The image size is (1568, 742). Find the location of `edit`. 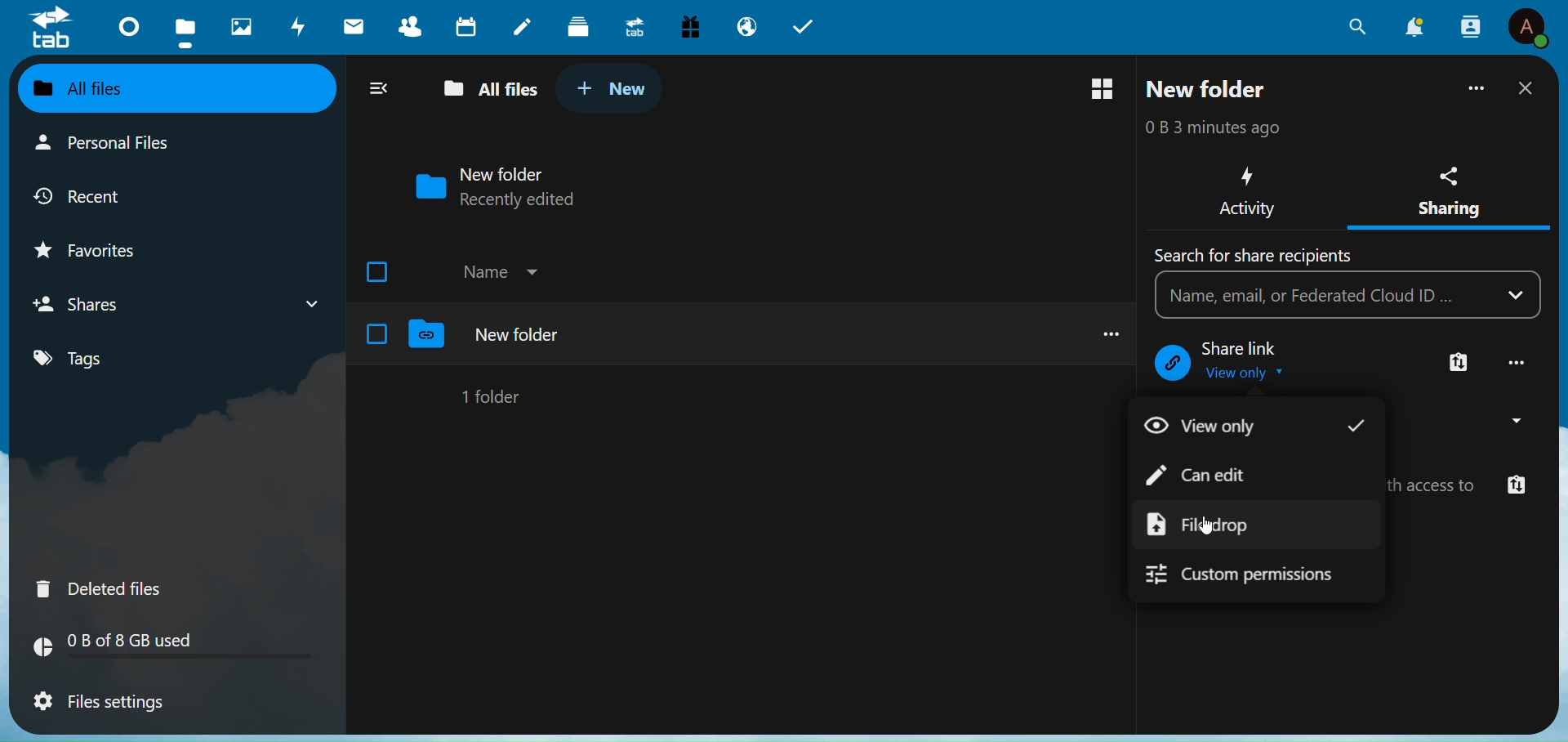

edit is located at coordinates (1206, 475).